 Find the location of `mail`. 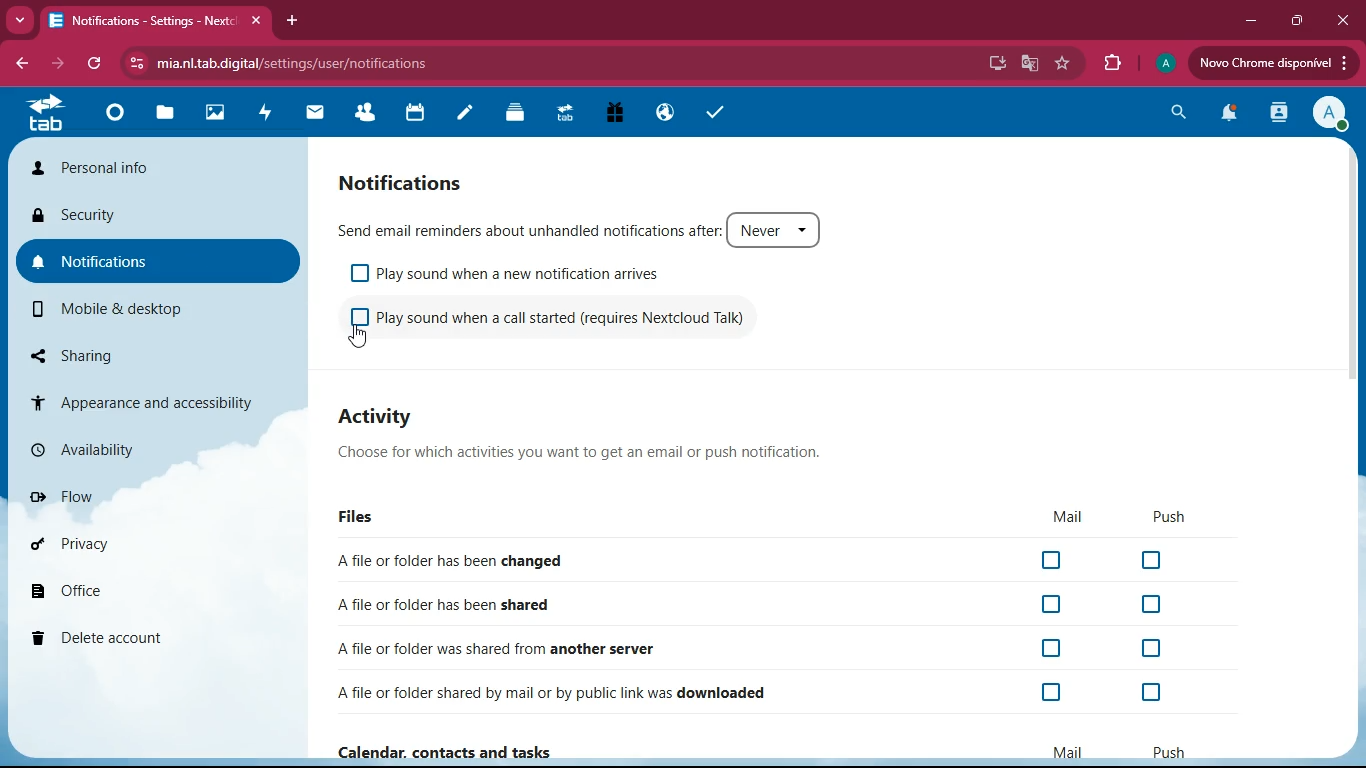

mail is located at coordinates (1067, 751).